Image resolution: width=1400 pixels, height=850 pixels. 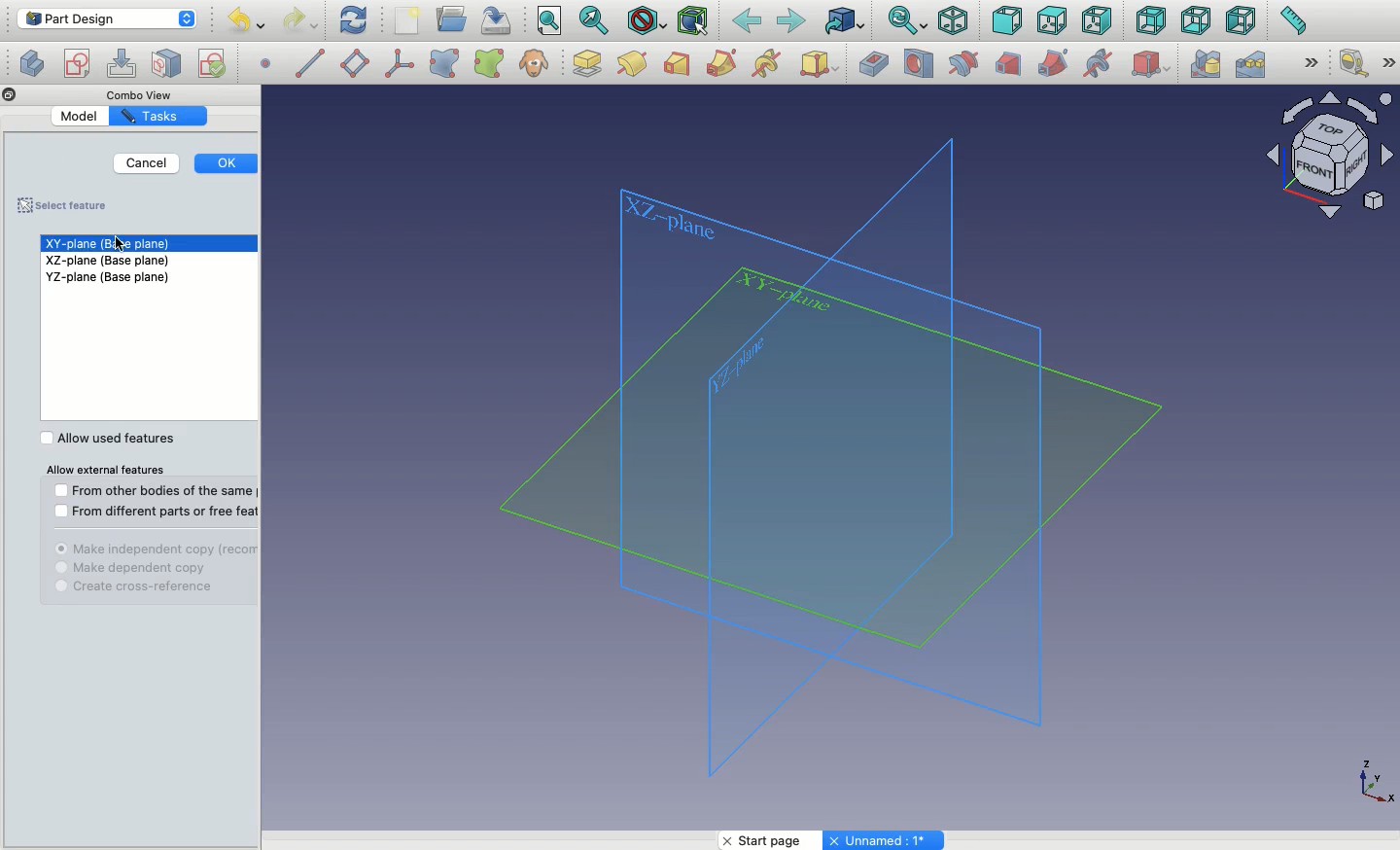 I want to click on New, so click(x=411, y=22).